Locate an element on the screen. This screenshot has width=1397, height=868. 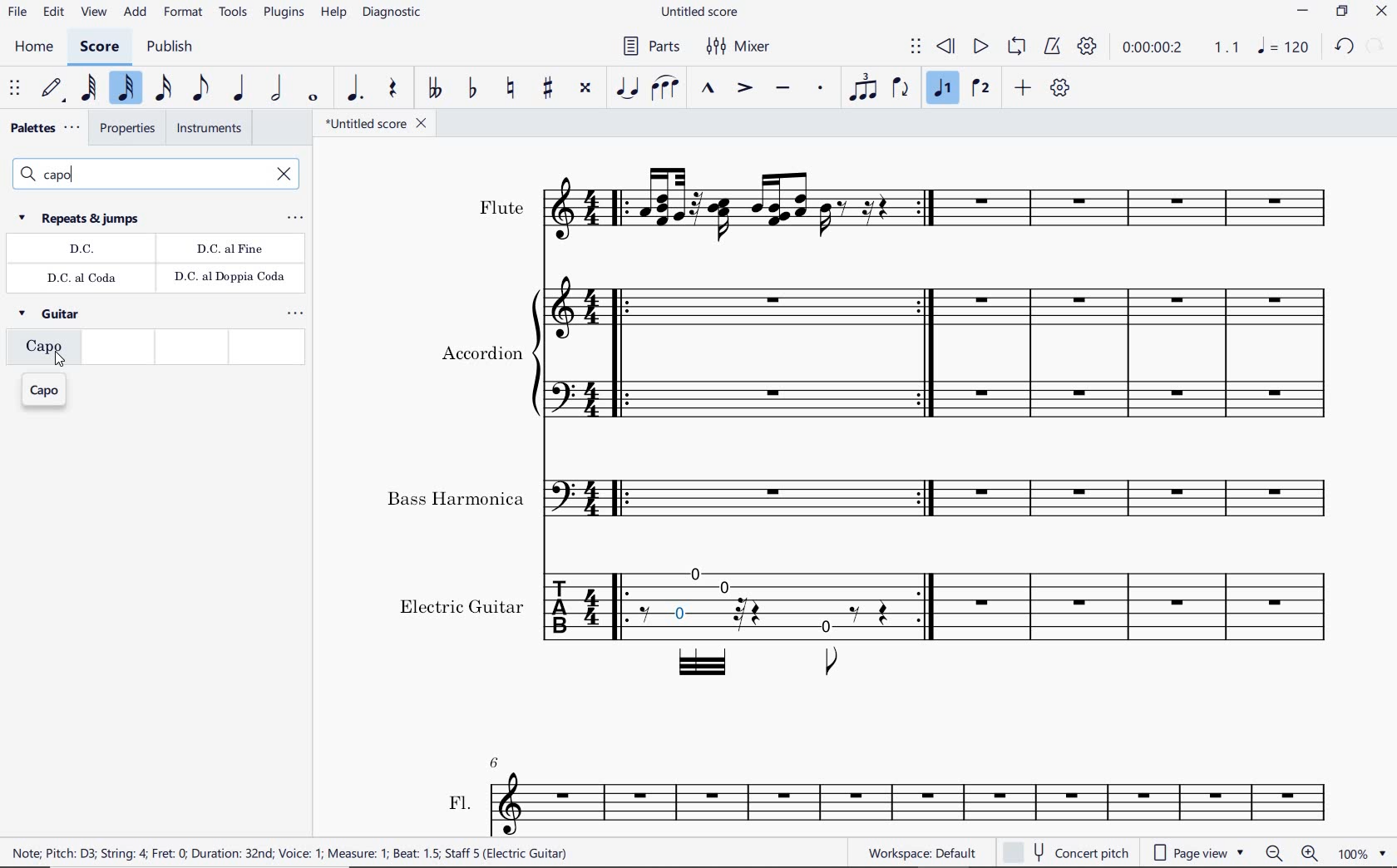
close is located at coordinates (1382, 12).